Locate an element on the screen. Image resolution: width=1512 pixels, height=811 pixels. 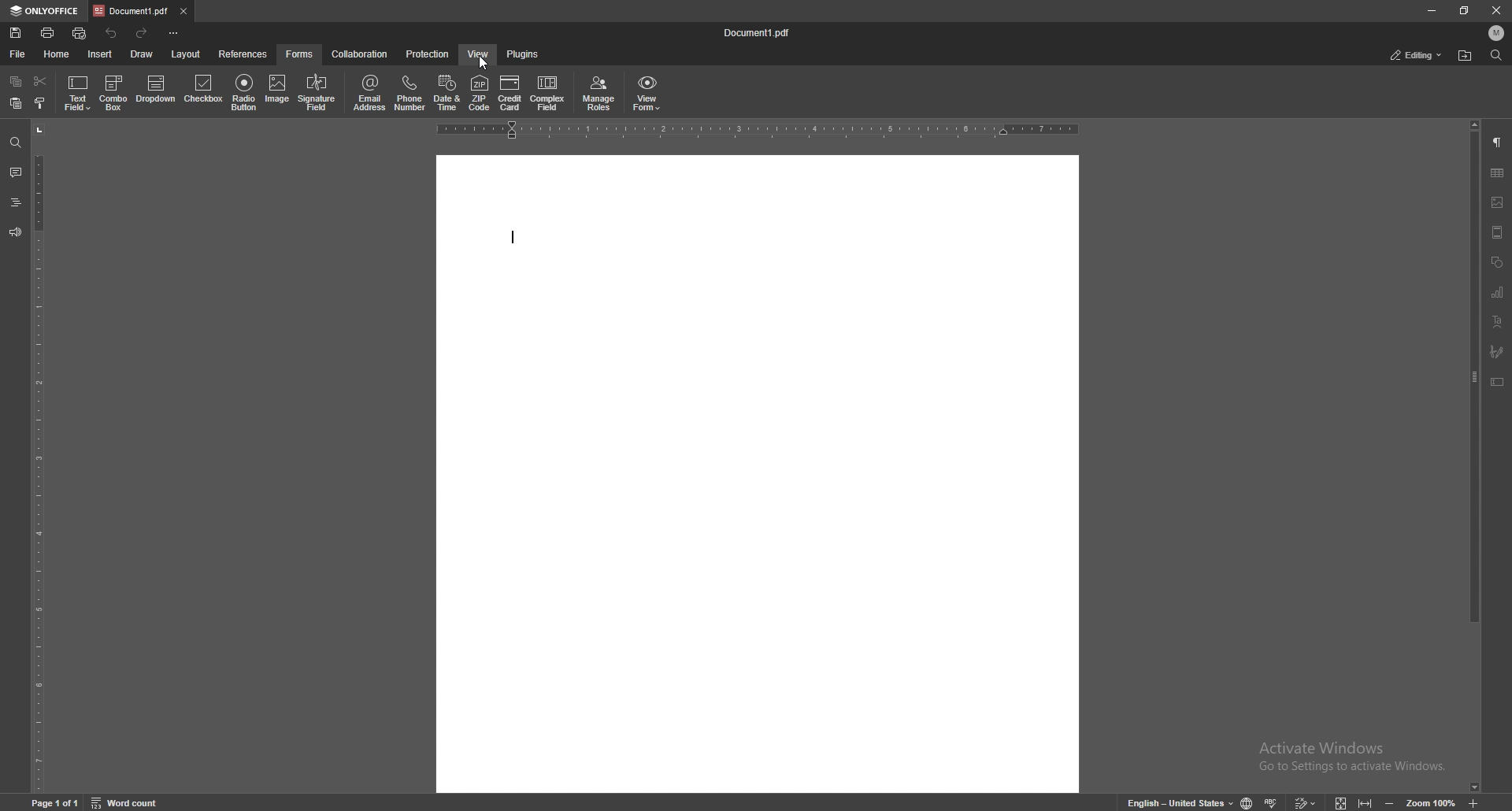
table is located at coordinates (1497, 173).